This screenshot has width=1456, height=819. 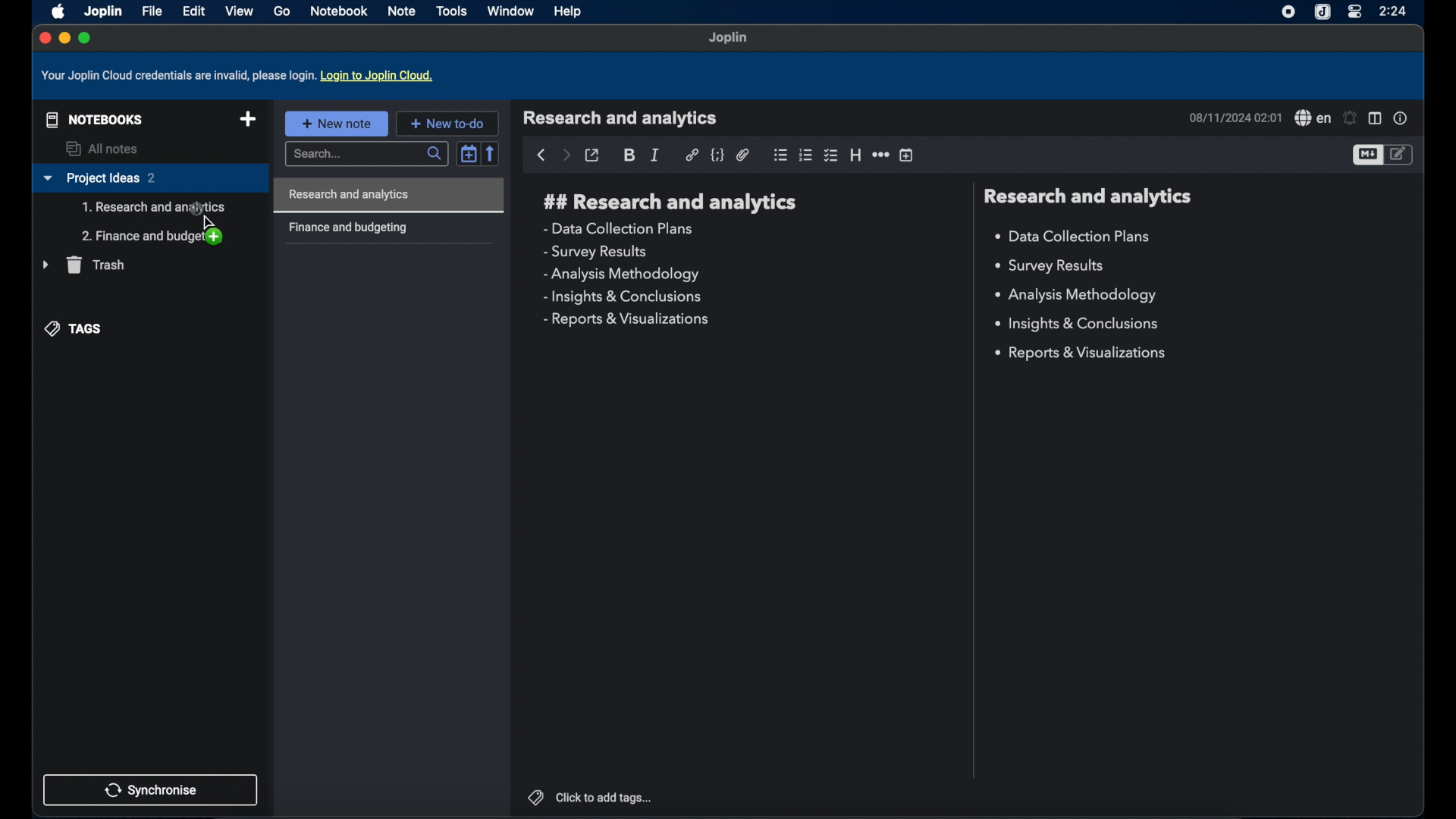 I want to click on toggle editor, so click(x=1367, y=155).